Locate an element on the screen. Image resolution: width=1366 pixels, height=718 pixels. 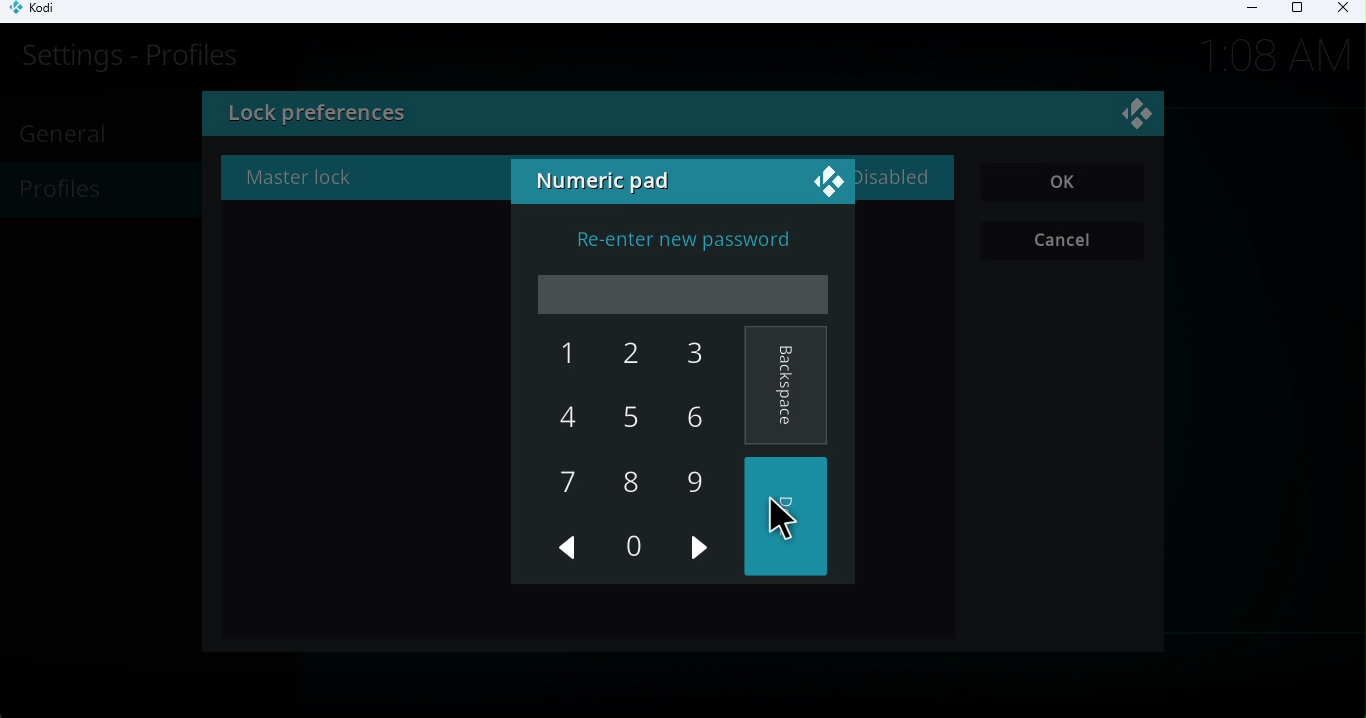
Numeric pad is located at coordinates (607, 183).